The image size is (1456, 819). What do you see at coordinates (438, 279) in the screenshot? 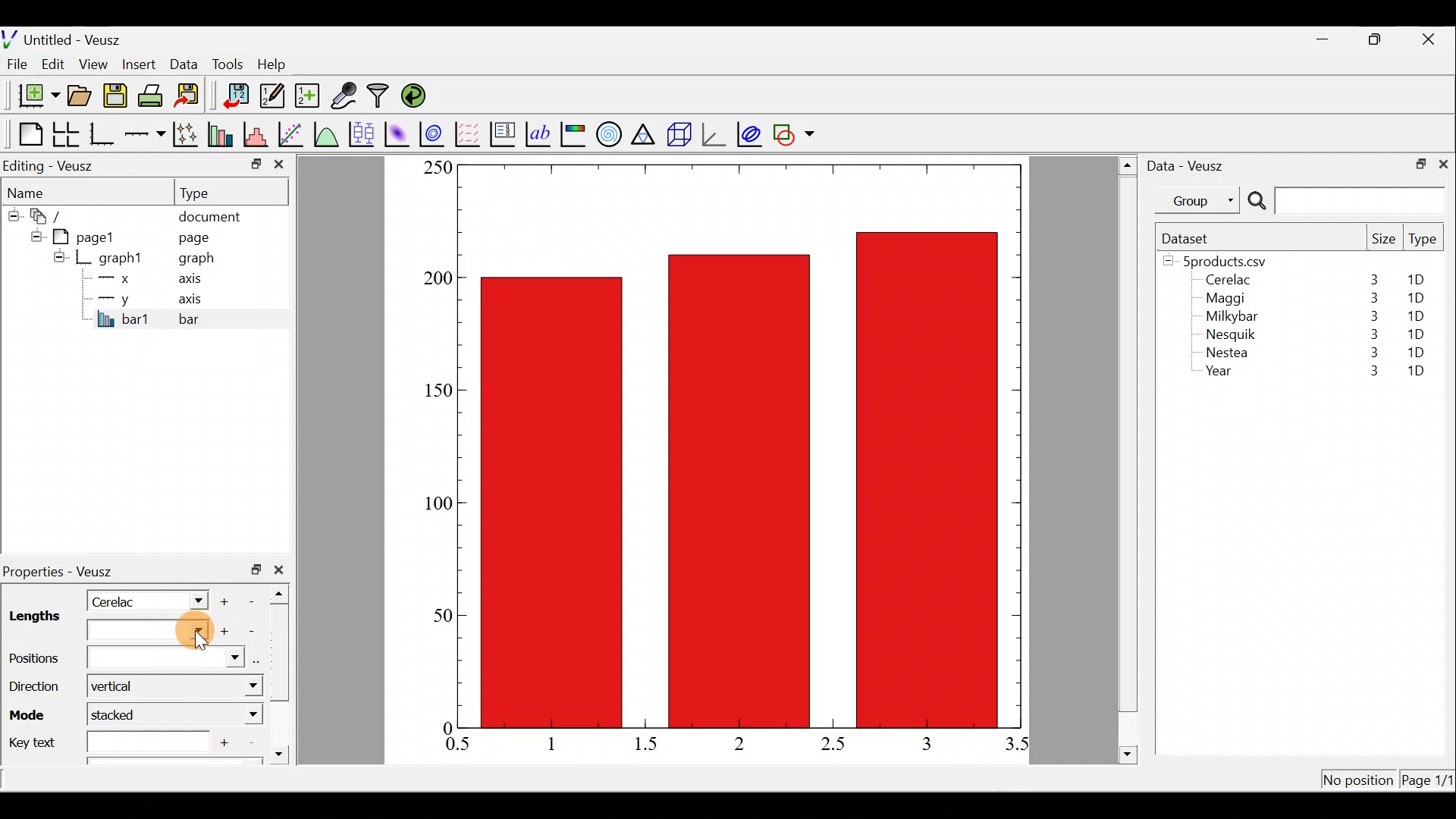
I see `200` at bounding box center [438, 279].